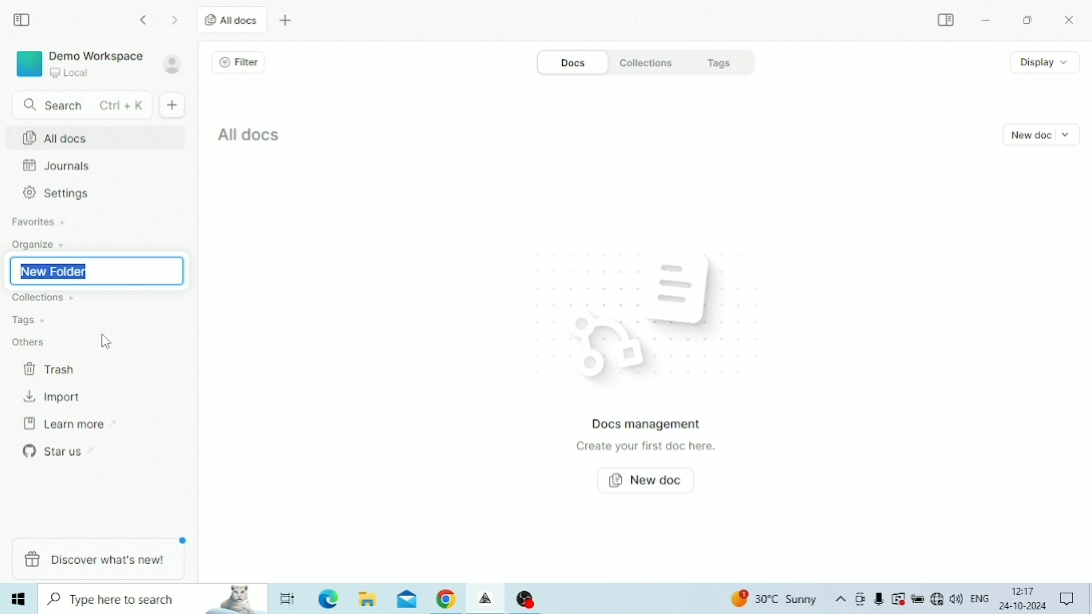  I want to click on Notifications, so click(1067, 598).